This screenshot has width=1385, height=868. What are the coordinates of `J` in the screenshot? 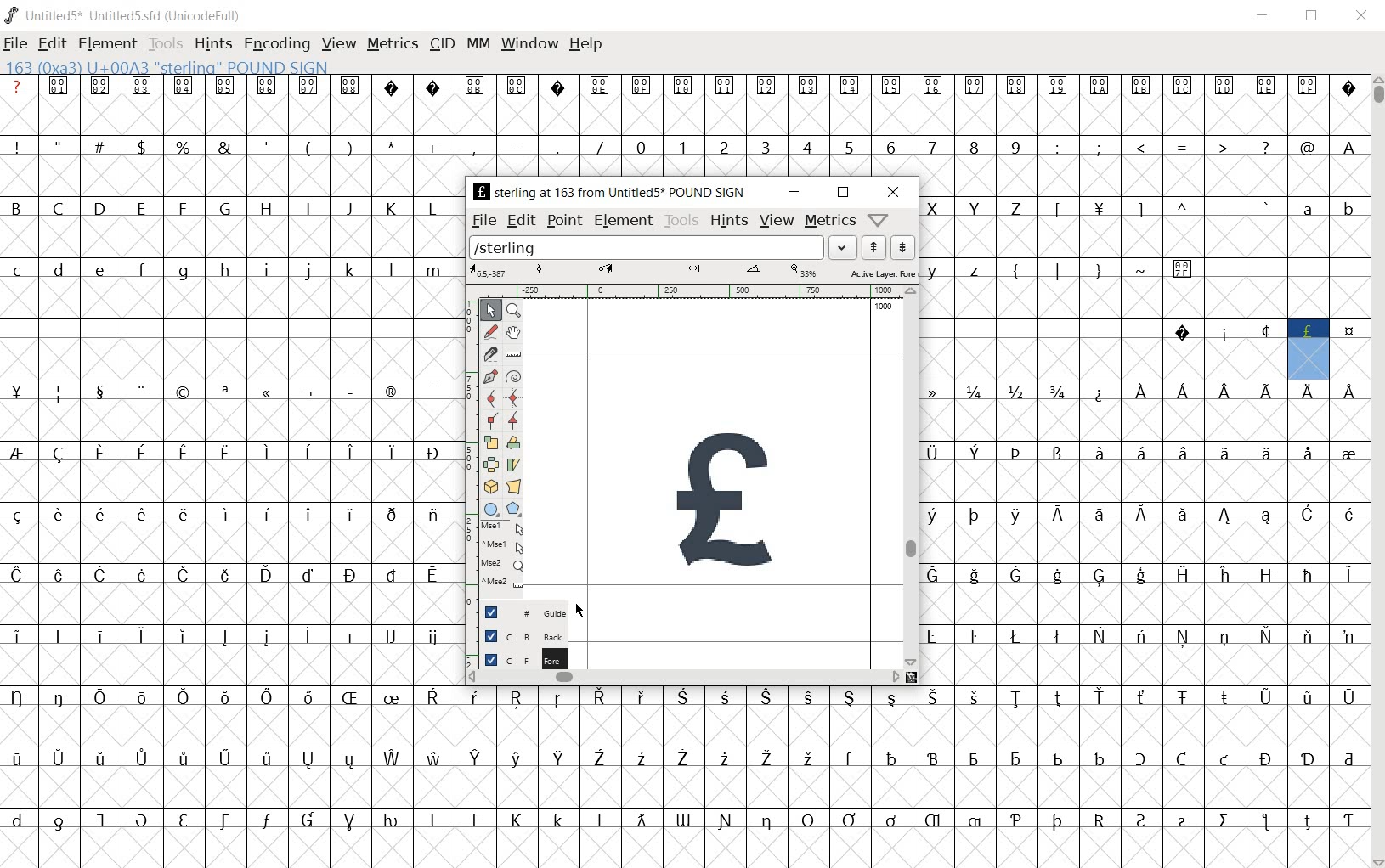 It's located at (348, 208).